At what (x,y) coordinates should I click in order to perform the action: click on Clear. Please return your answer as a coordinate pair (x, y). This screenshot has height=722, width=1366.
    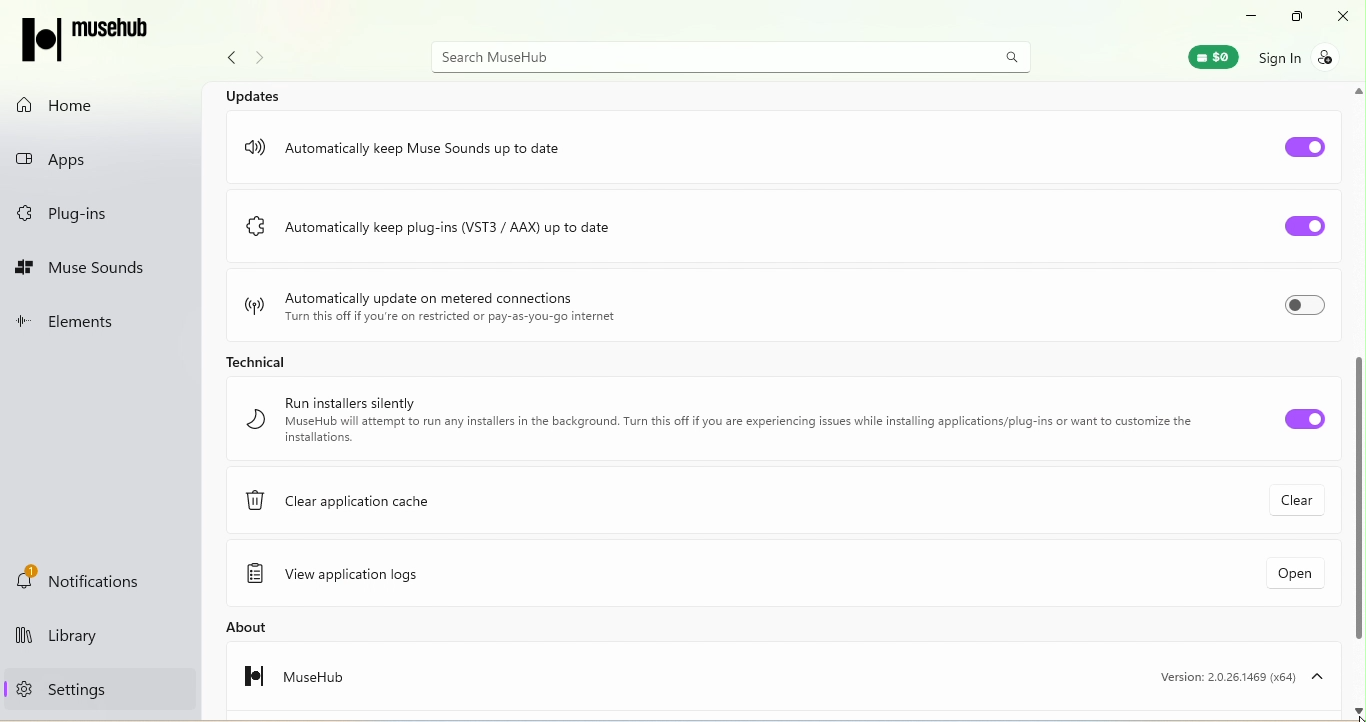
    Looking at the image, I should click on (1290, 502).